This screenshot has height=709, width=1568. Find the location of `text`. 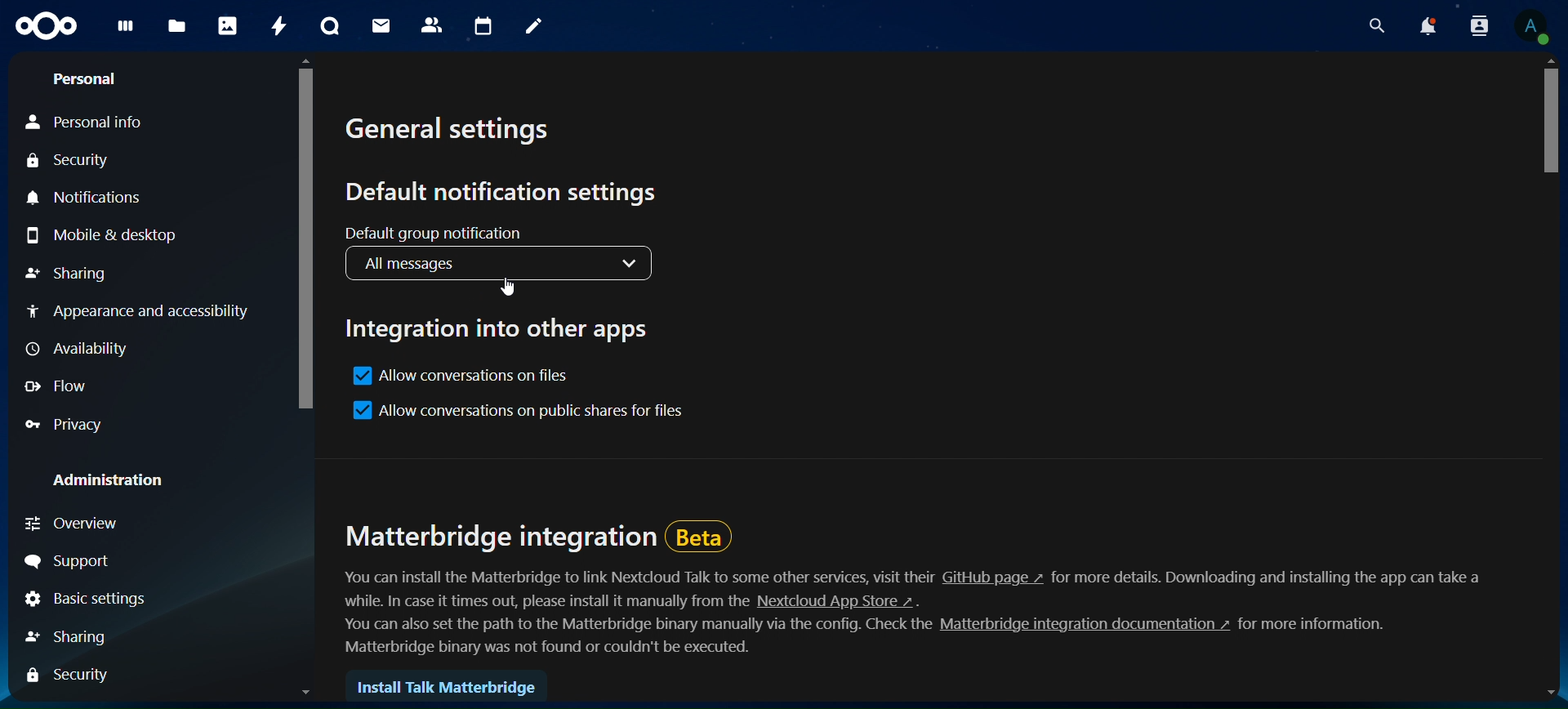

text is located at coordinates (1321, 626).